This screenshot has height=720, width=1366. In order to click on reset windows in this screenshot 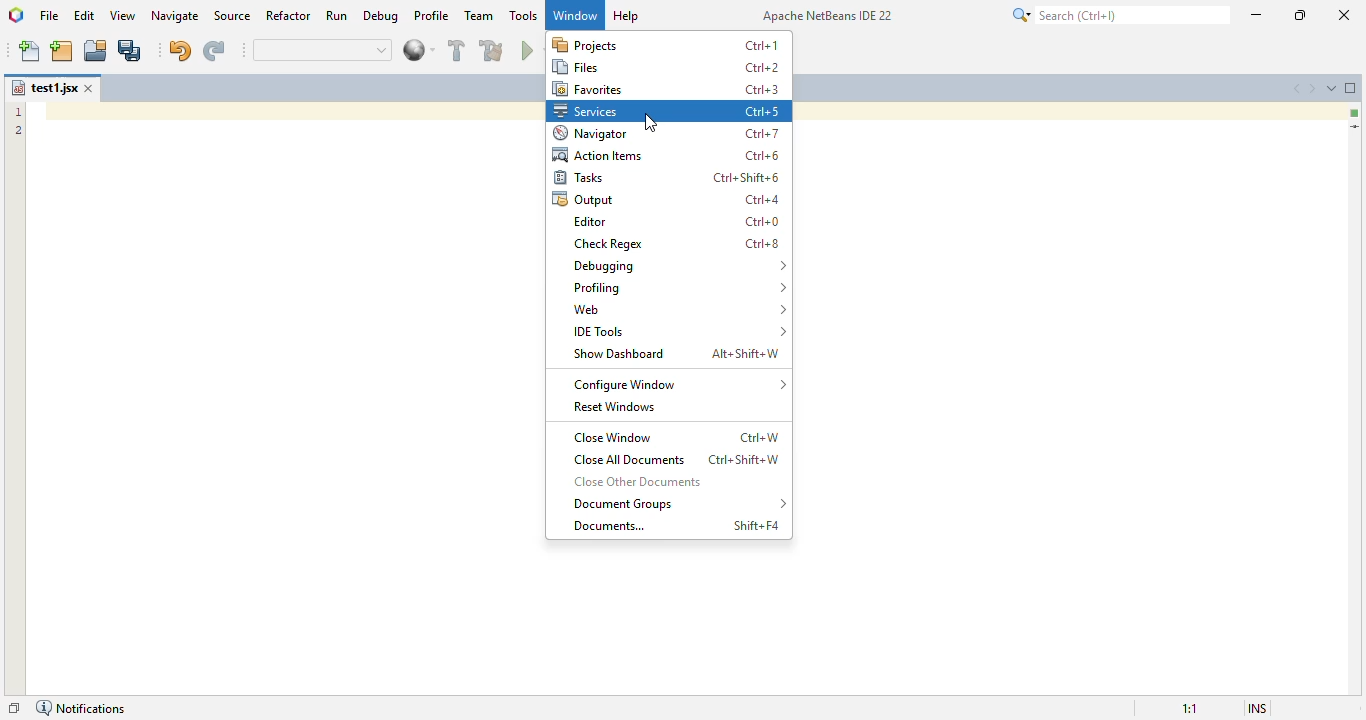, I will do `click(616, 406)`.